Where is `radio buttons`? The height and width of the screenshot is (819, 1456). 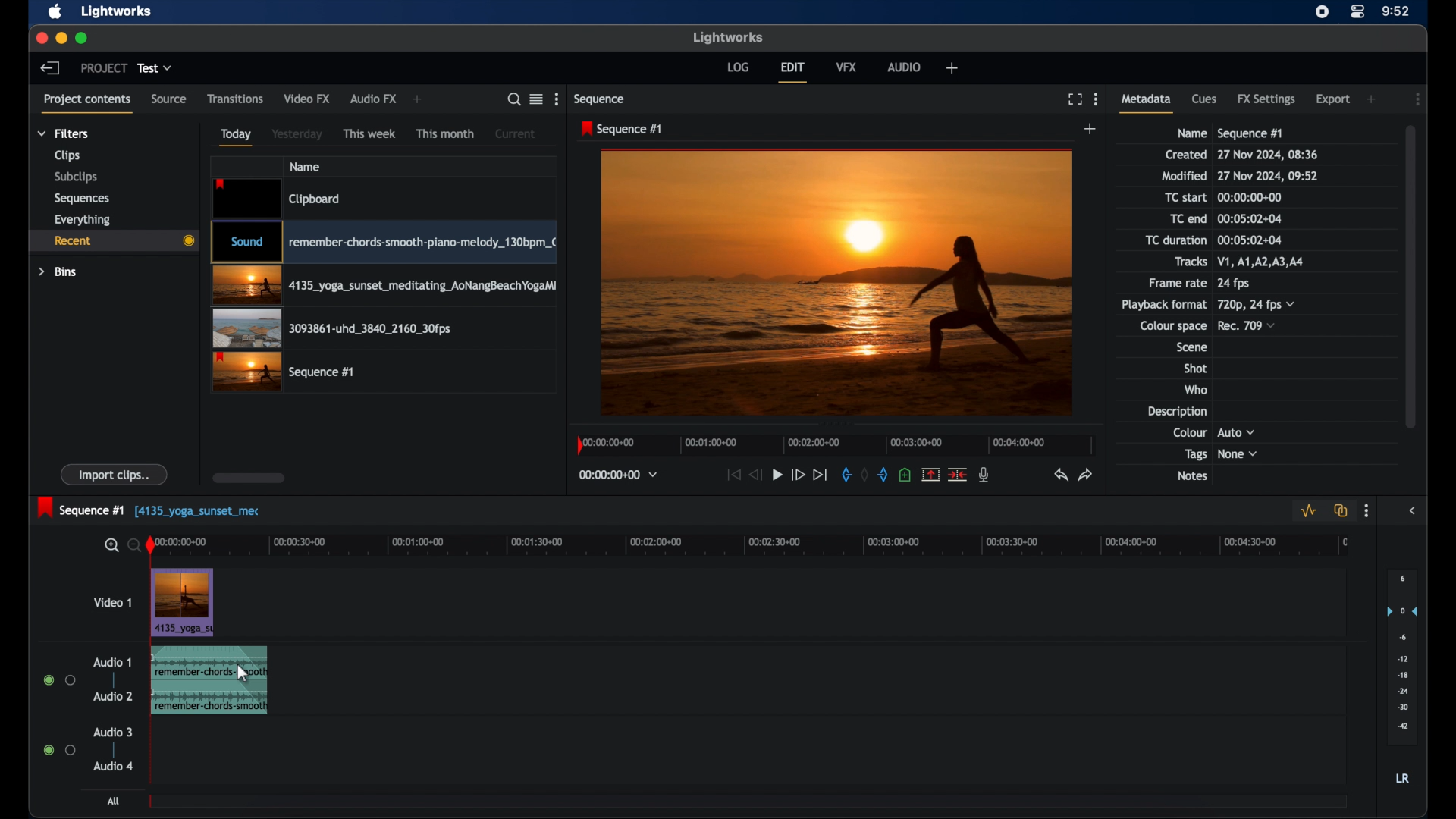
radio buttons is located at coordinates (58, 749).